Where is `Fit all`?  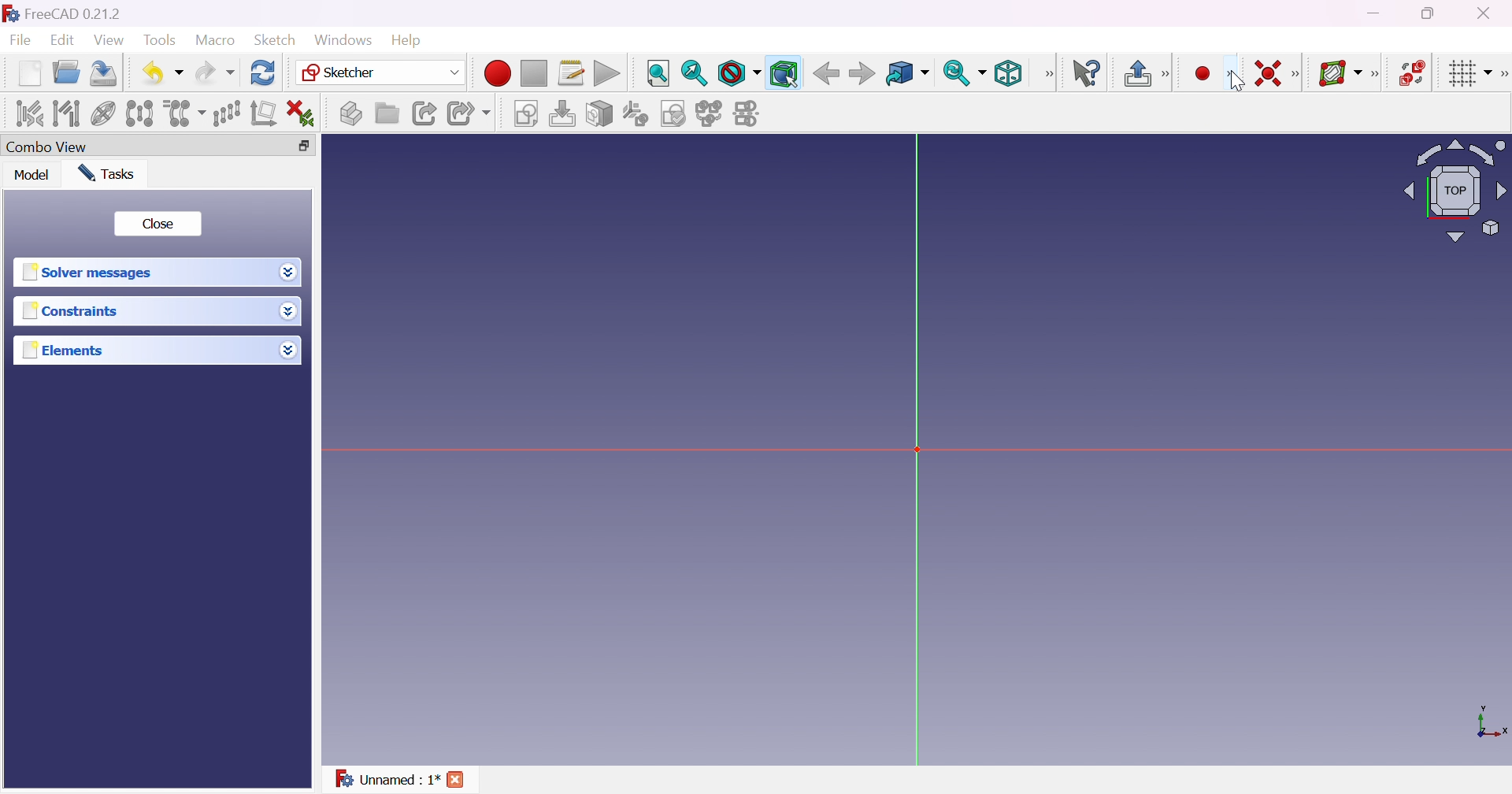 Fit all is located at coordinates (658, 72).